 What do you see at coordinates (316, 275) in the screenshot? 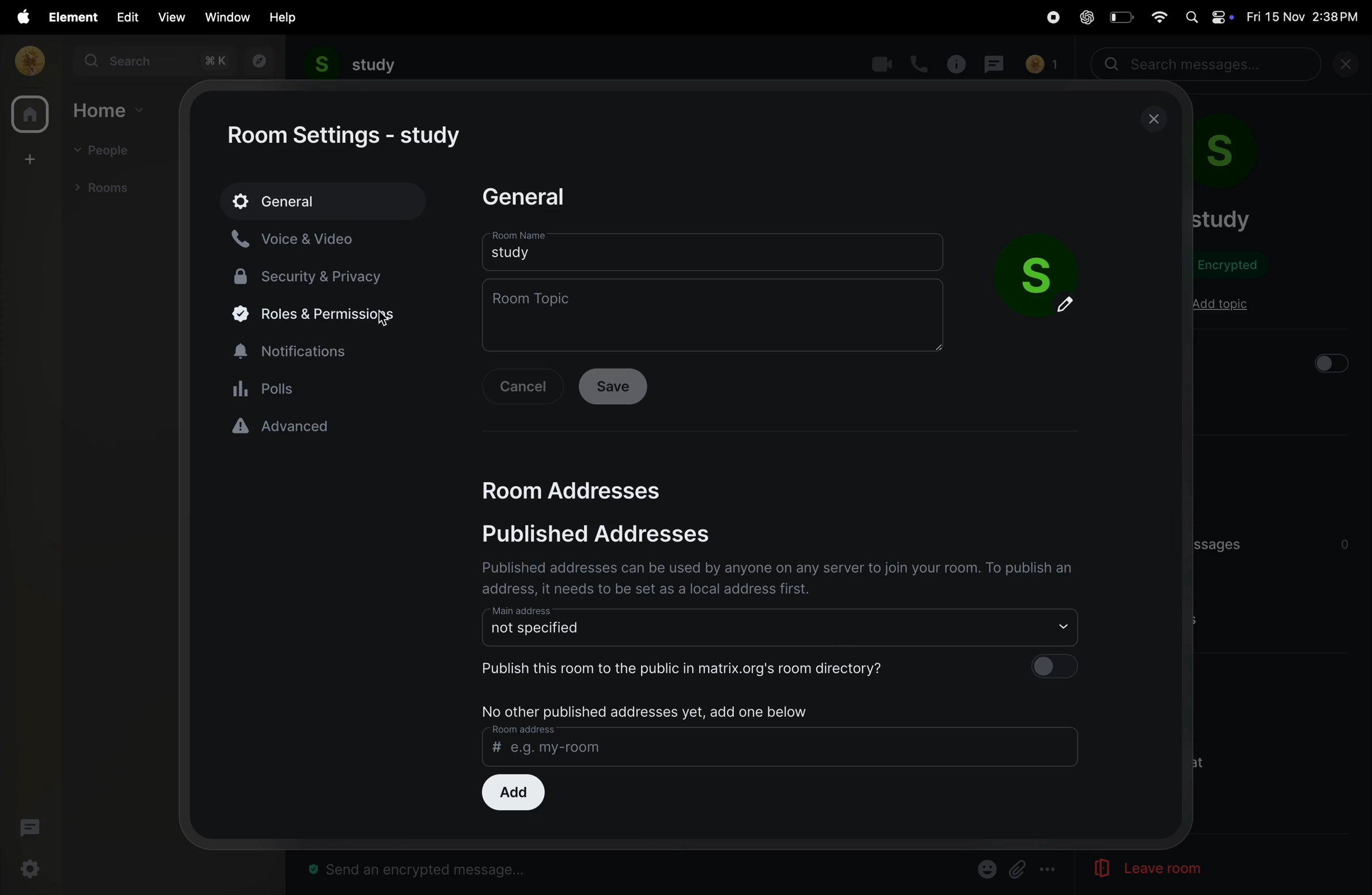
I see `security and privacy ` at bounding box center [316, 275].